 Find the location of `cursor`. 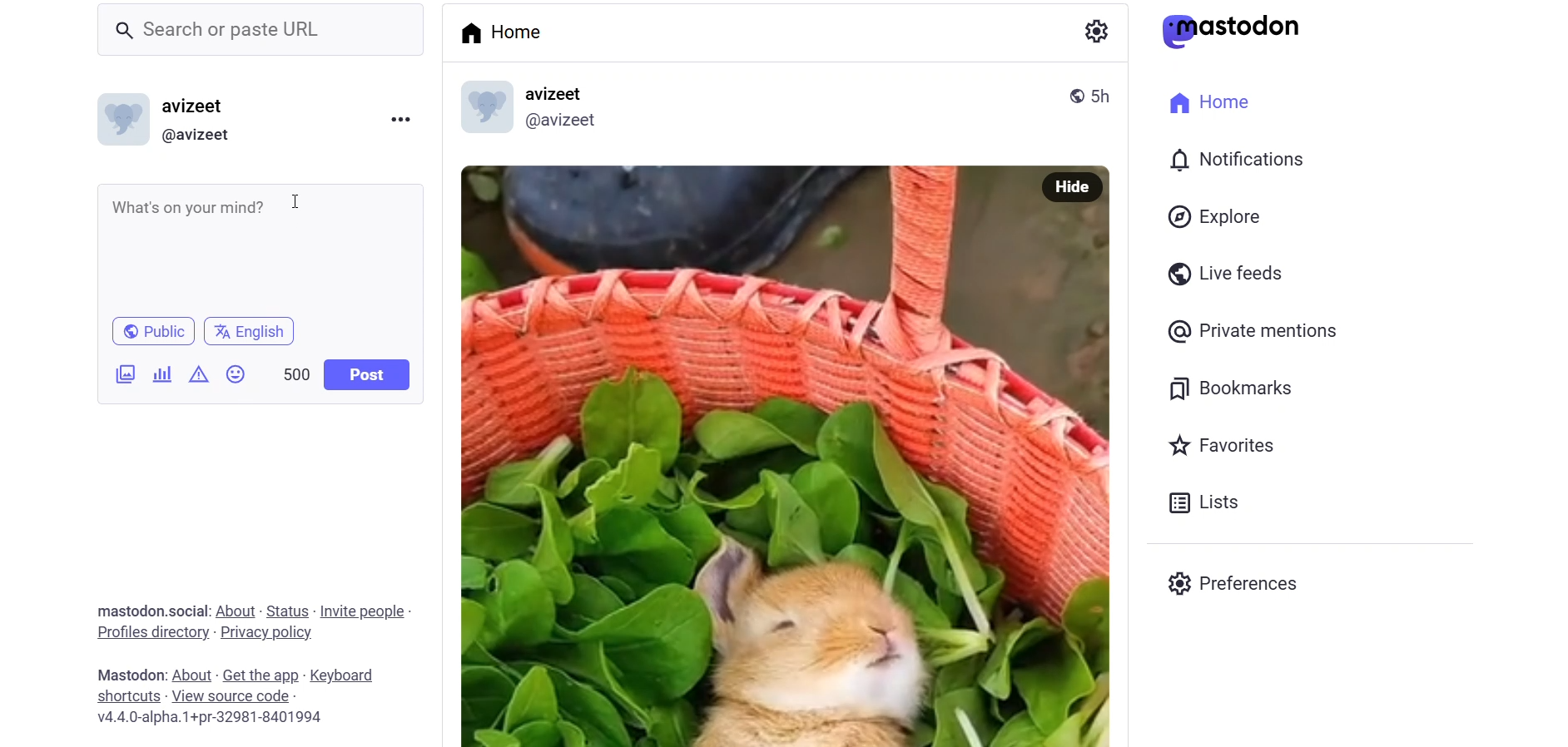

cursor is located at coordinates (298, 202).